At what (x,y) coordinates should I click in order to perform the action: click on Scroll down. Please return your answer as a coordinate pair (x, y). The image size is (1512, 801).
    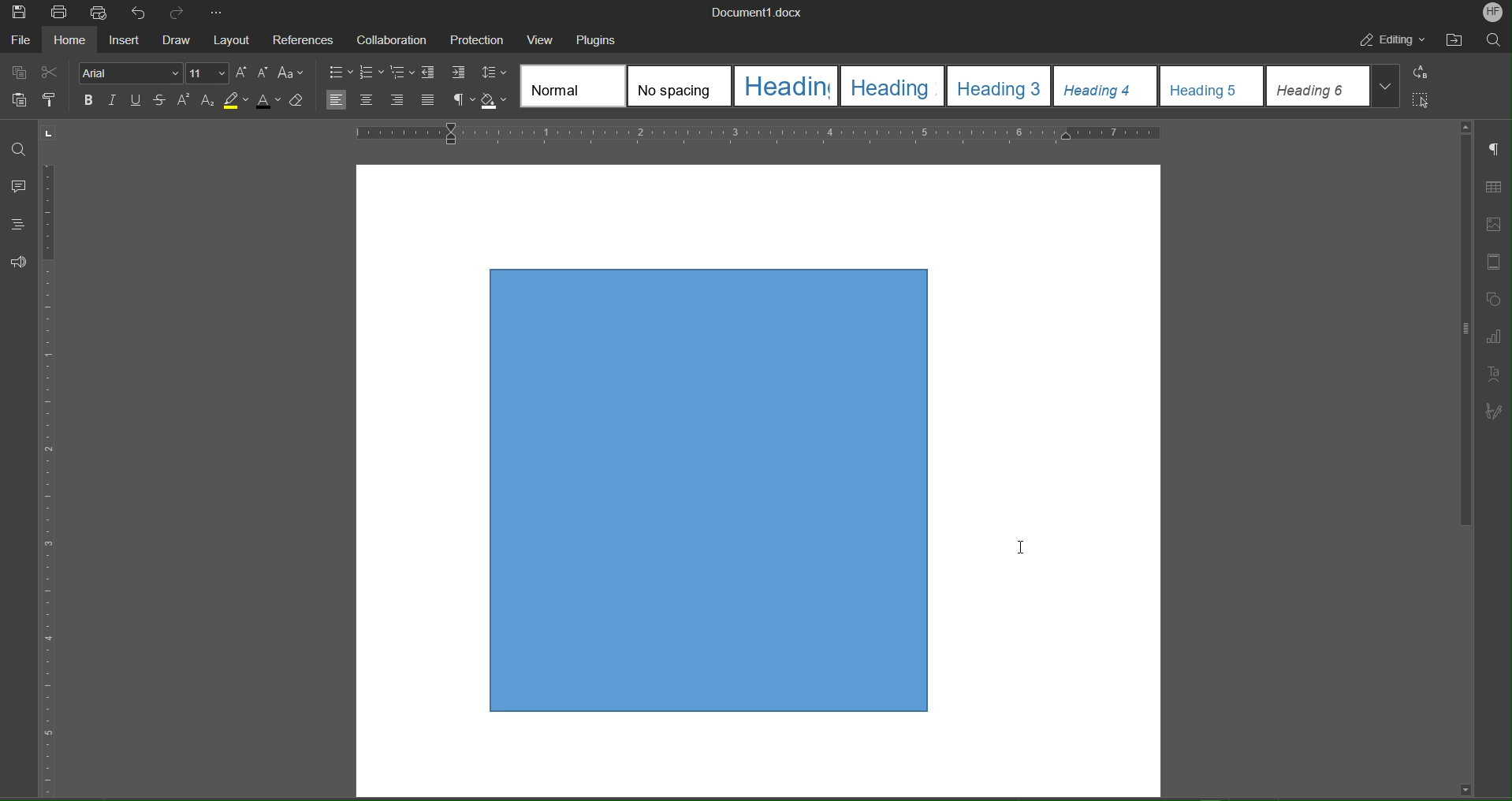
    Looking at the image, I should click on (1460, 788).